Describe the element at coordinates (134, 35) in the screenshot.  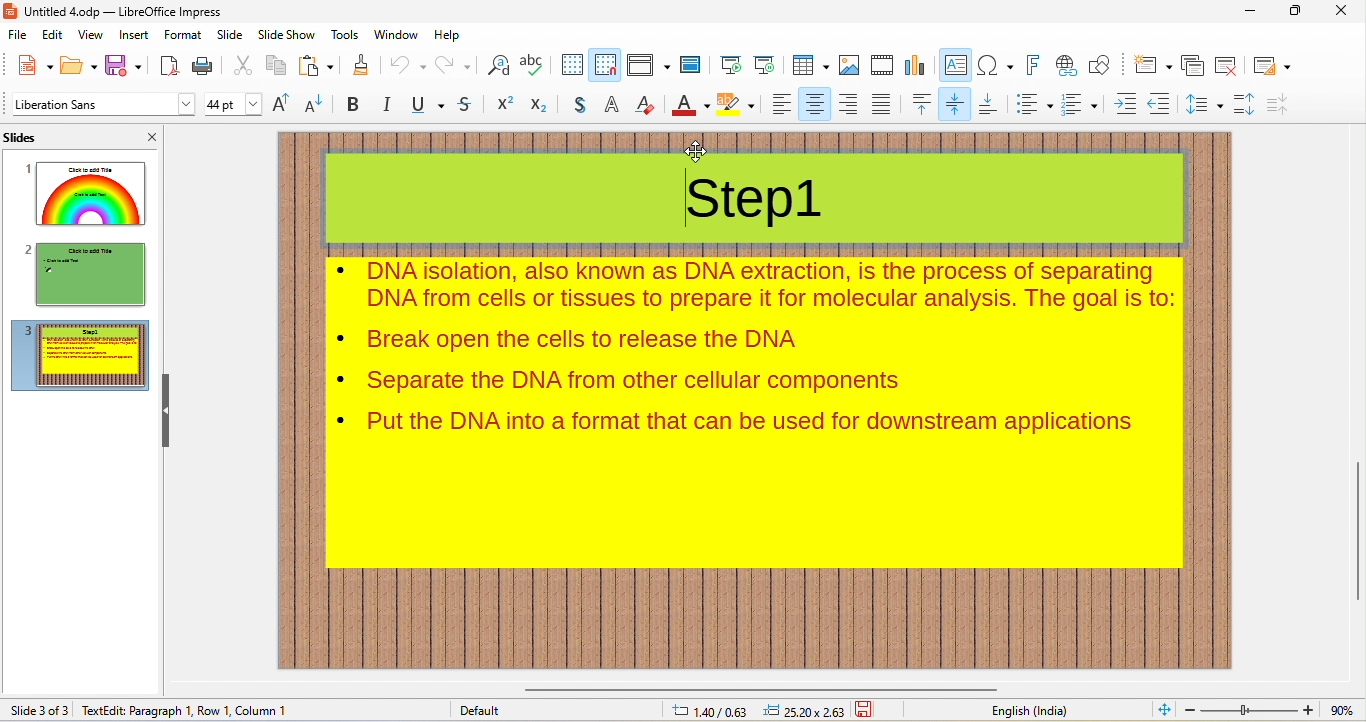
I see `insert` at that location.